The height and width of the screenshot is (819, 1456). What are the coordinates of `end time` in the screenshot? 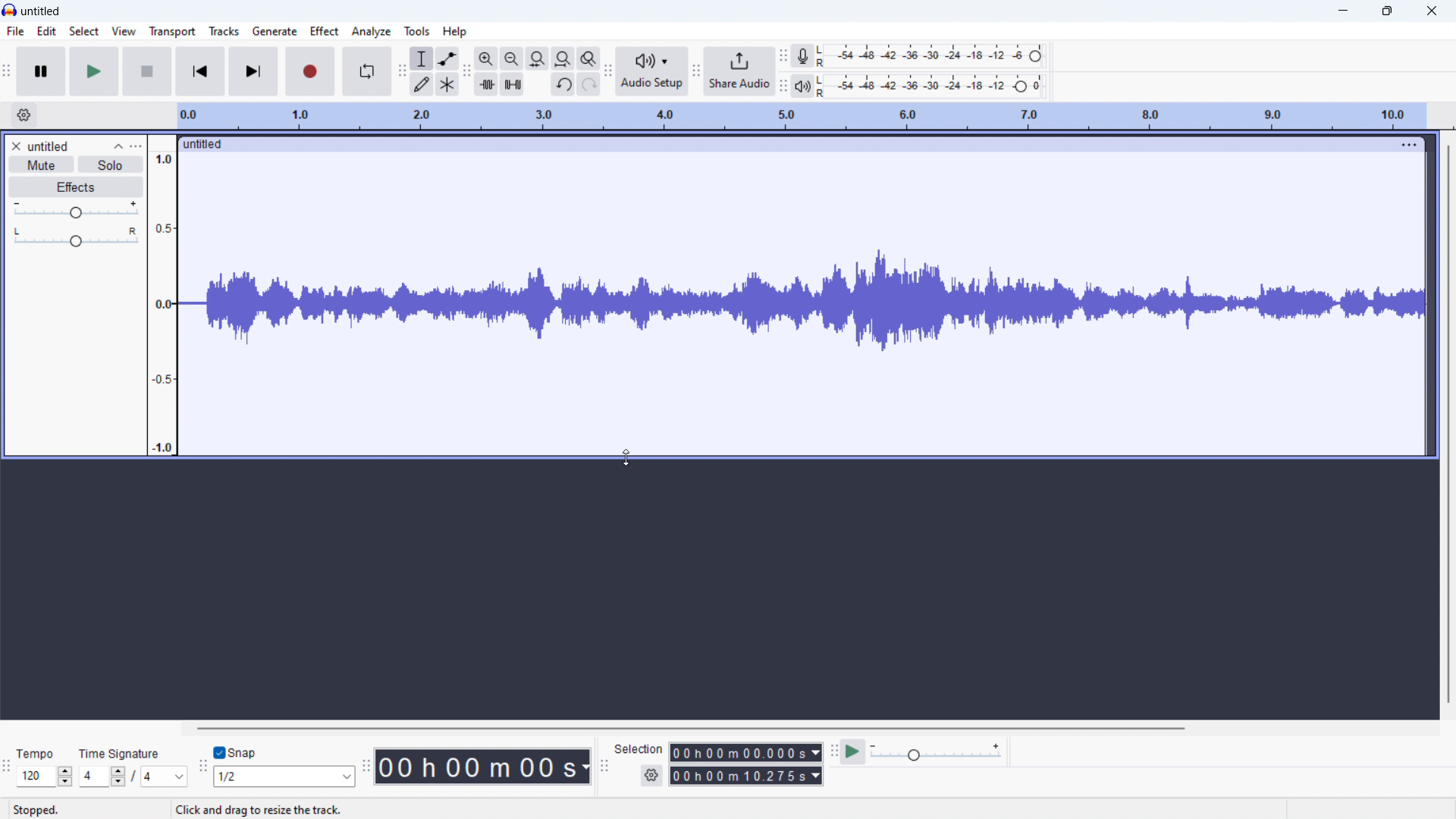 It's located at (745, 777).